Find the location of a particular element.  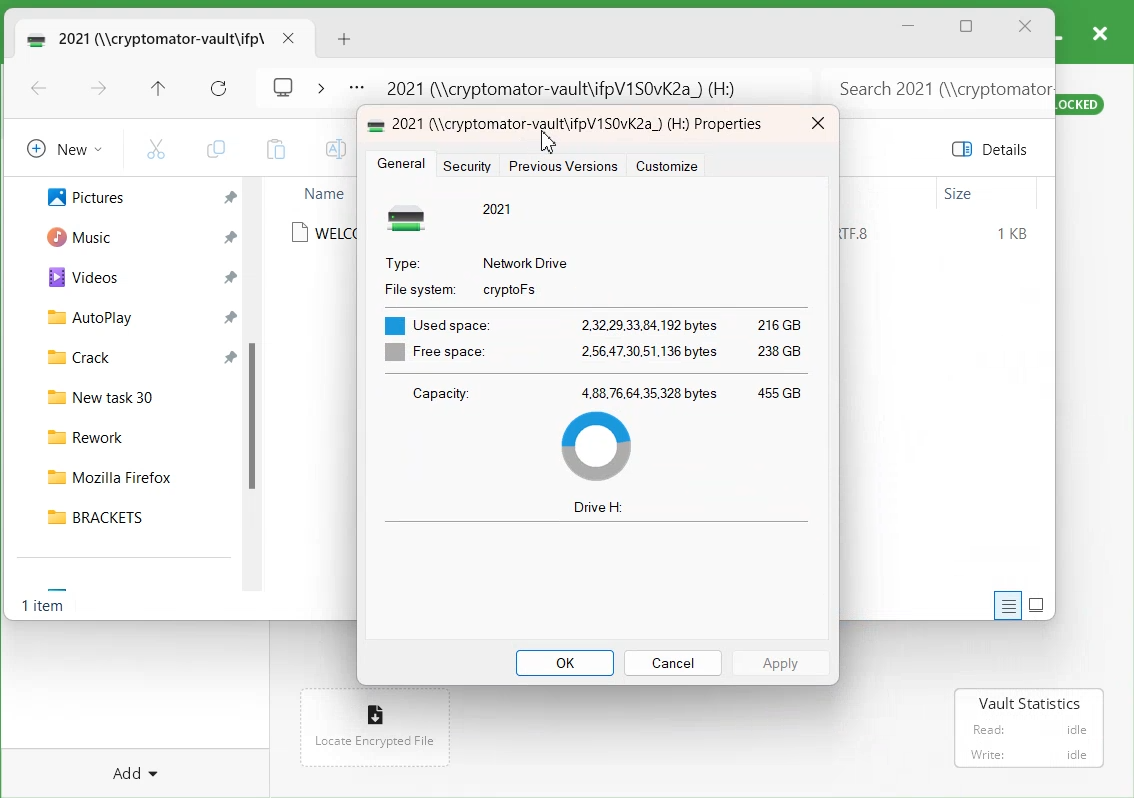

New is located at coordinates (61, 148).